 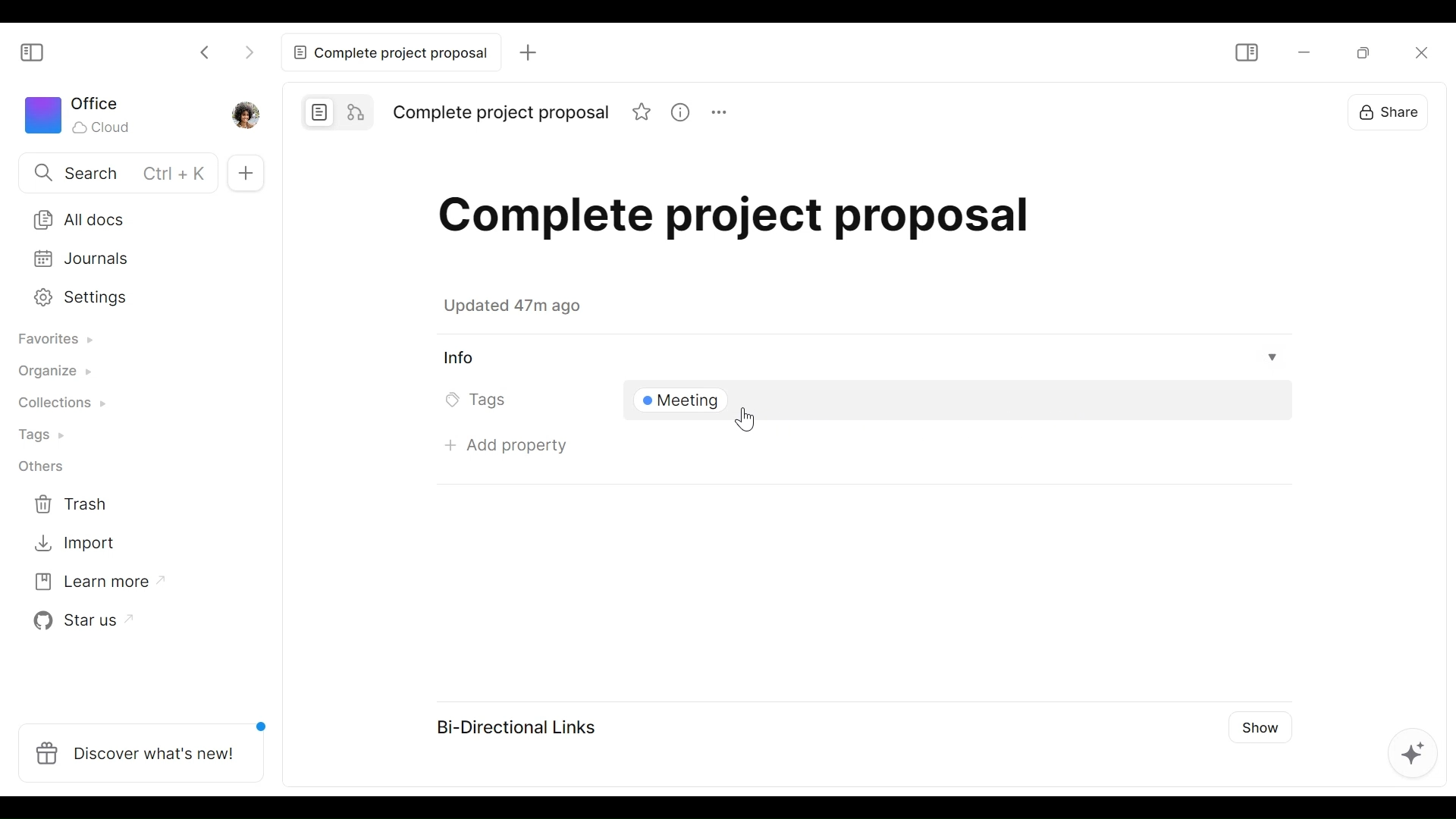 I want to click on Updated 47m ago, so click(x=521, y=309).